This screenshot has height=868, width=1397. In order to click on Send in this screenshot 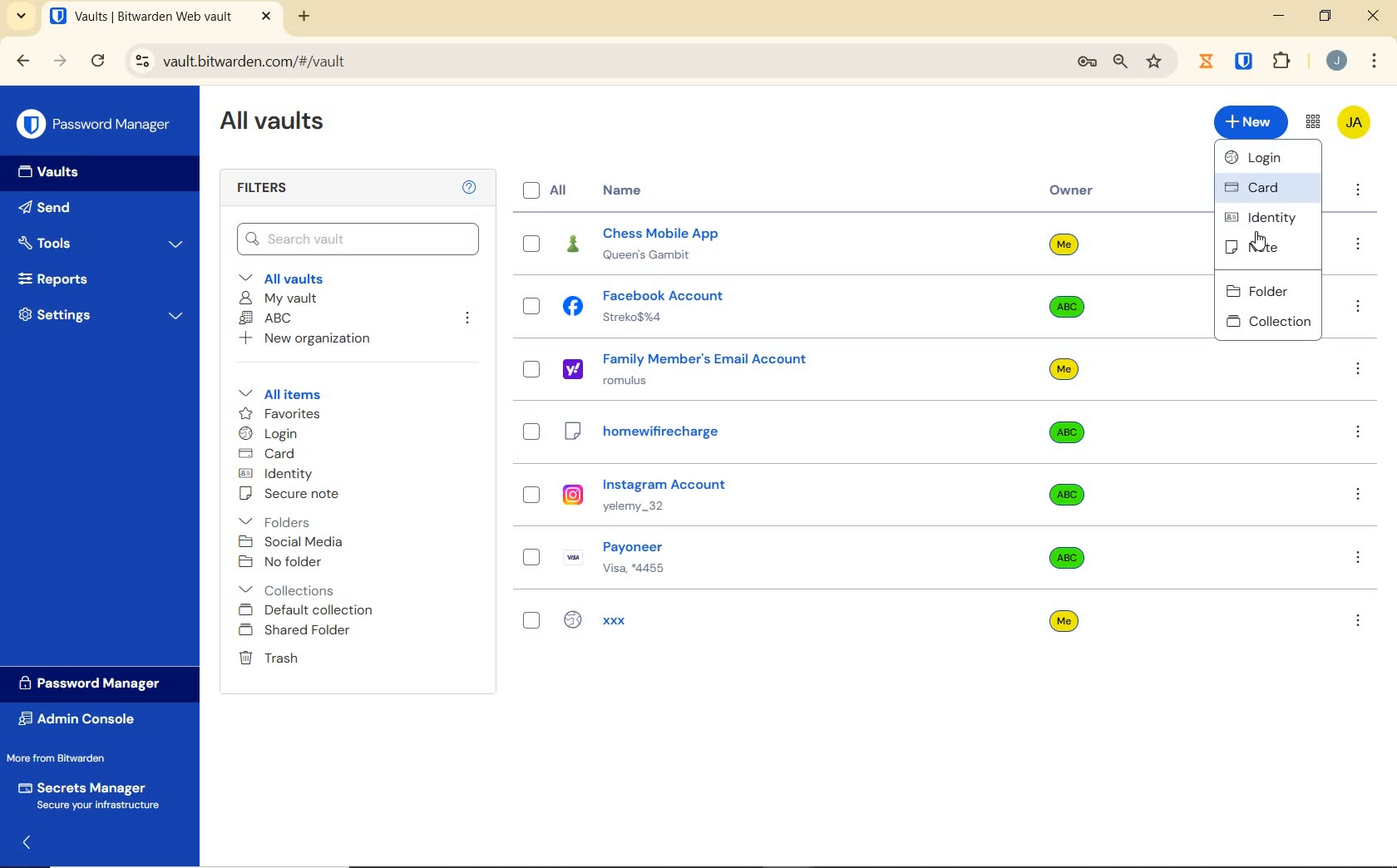, I will do `click(76, 210)`.